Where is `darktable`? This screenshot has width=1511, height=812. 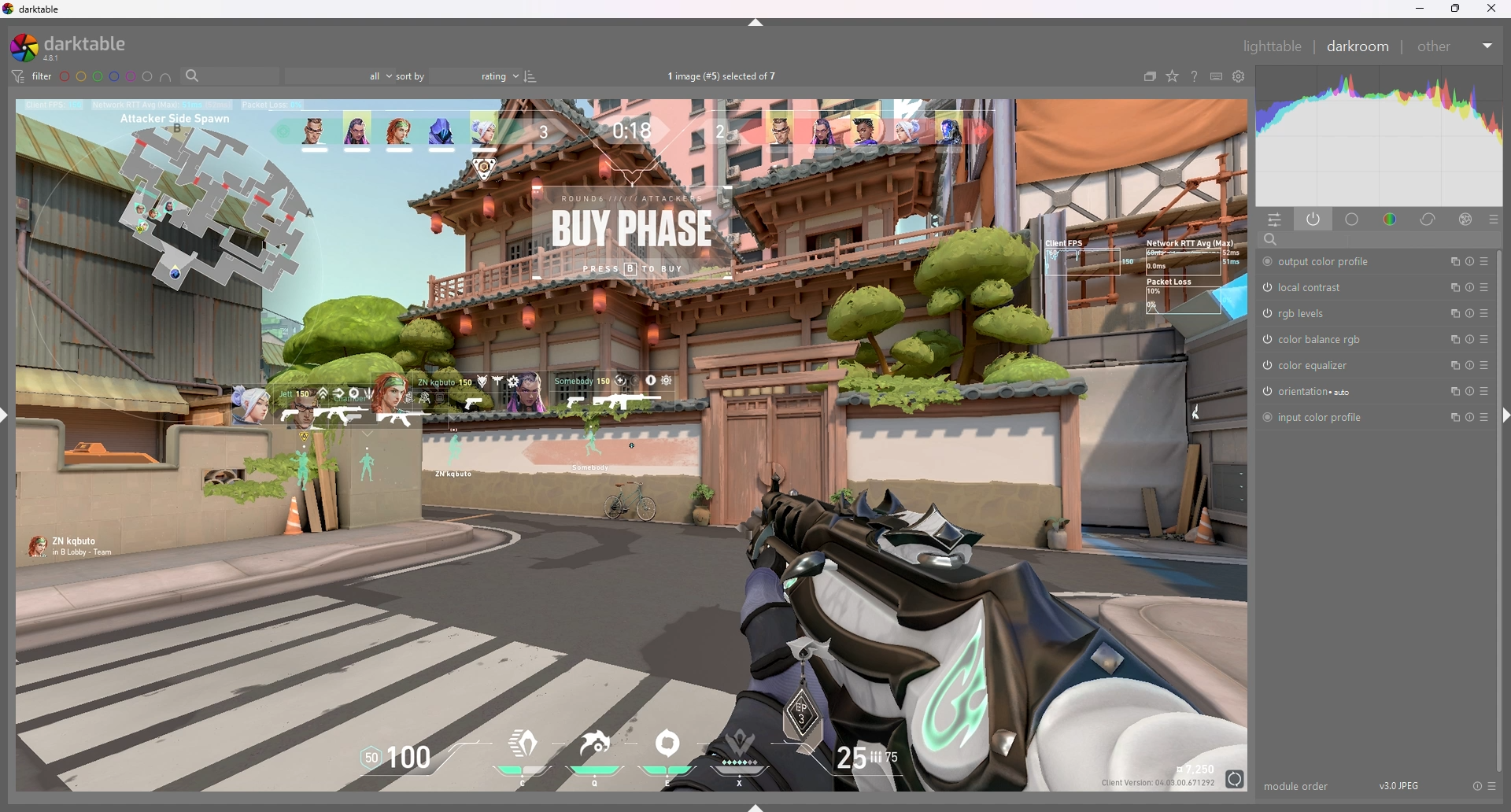
darktable is located at coordinates (35, 9).